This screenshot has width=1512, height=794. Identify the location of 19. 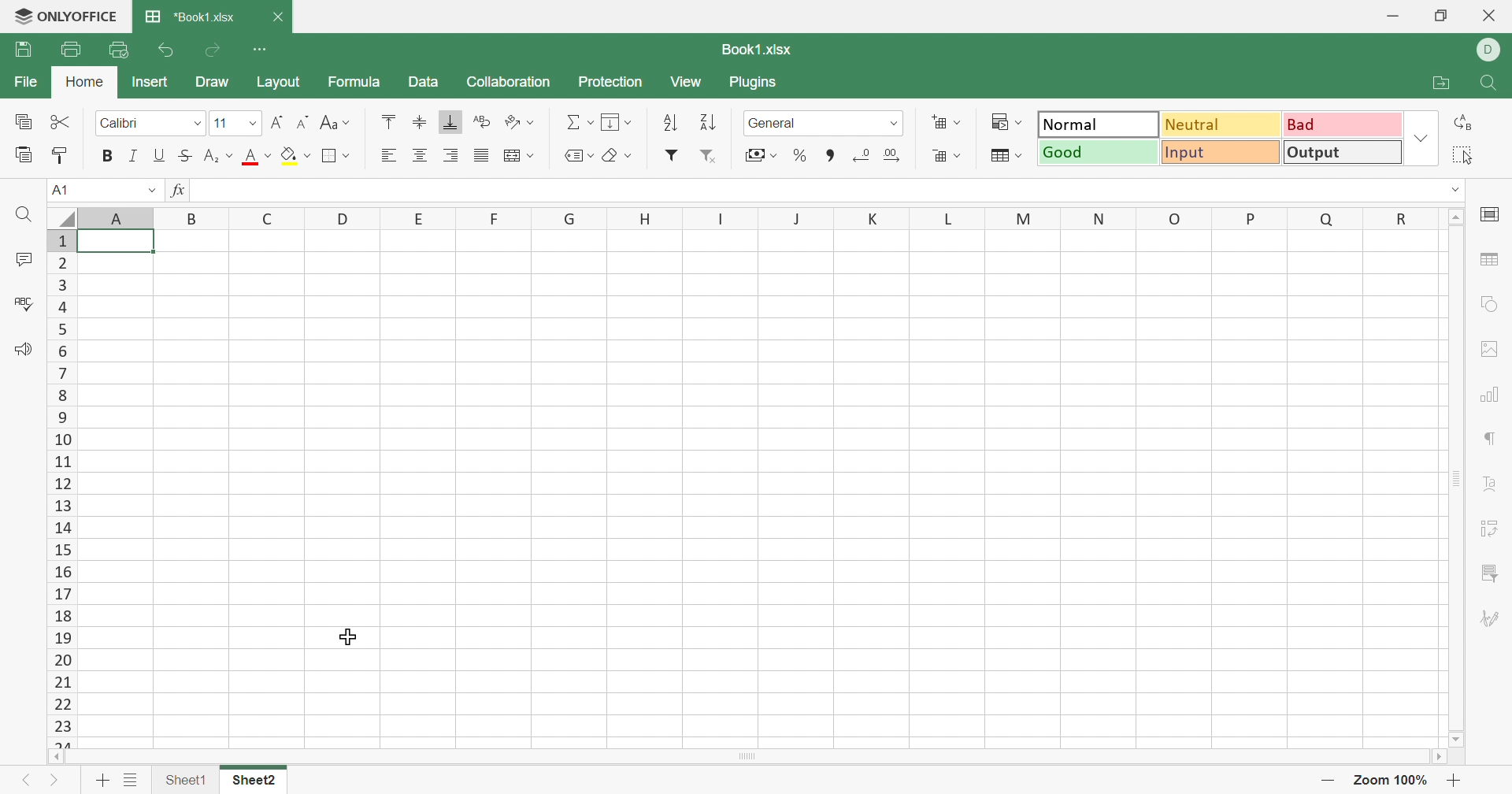
(61, 639).